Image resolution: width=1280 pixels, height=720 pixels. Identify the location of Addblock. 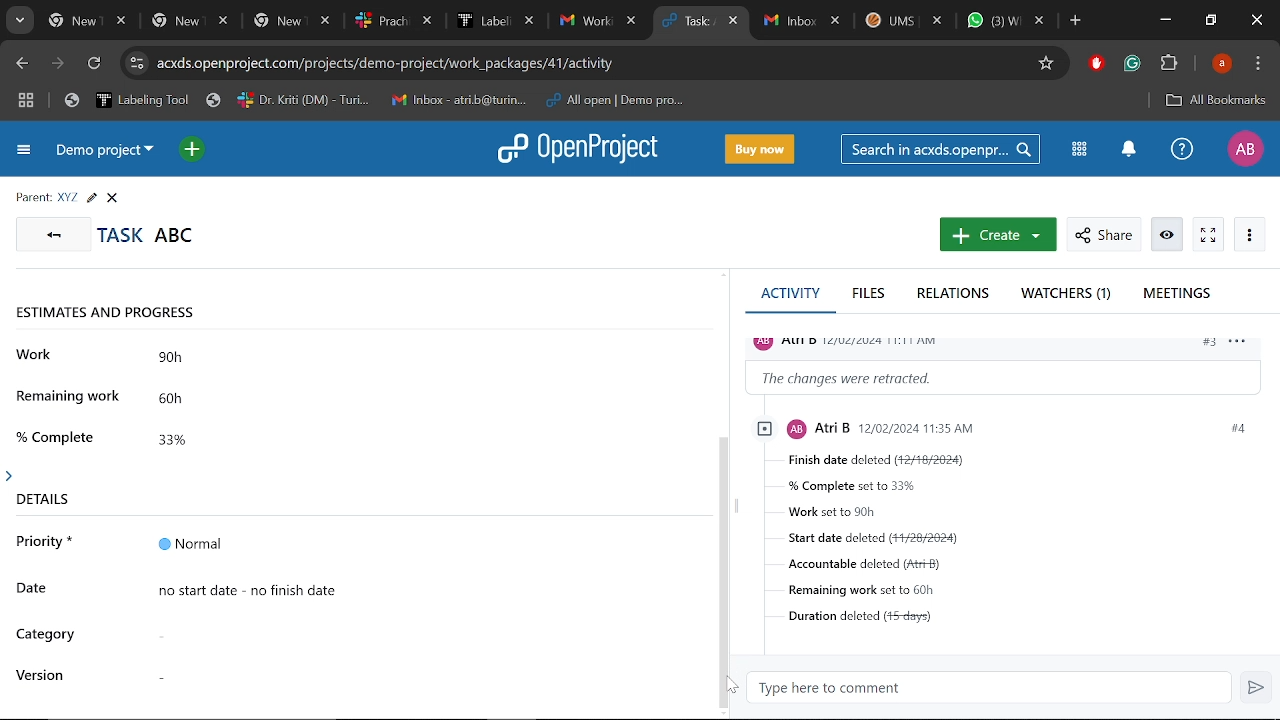
(1096, 63).